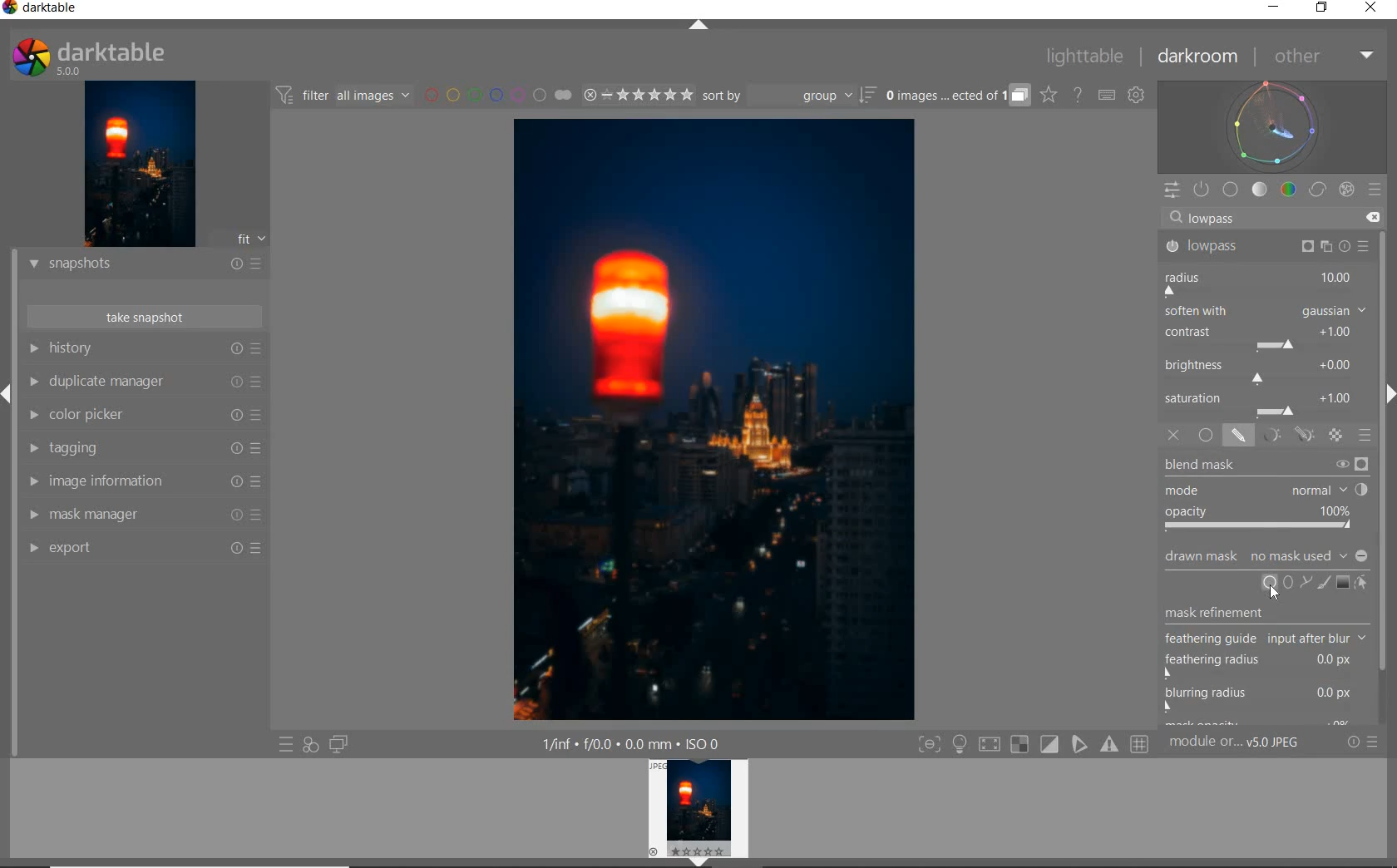  I want to click on Cursor, so click(1280, 590).